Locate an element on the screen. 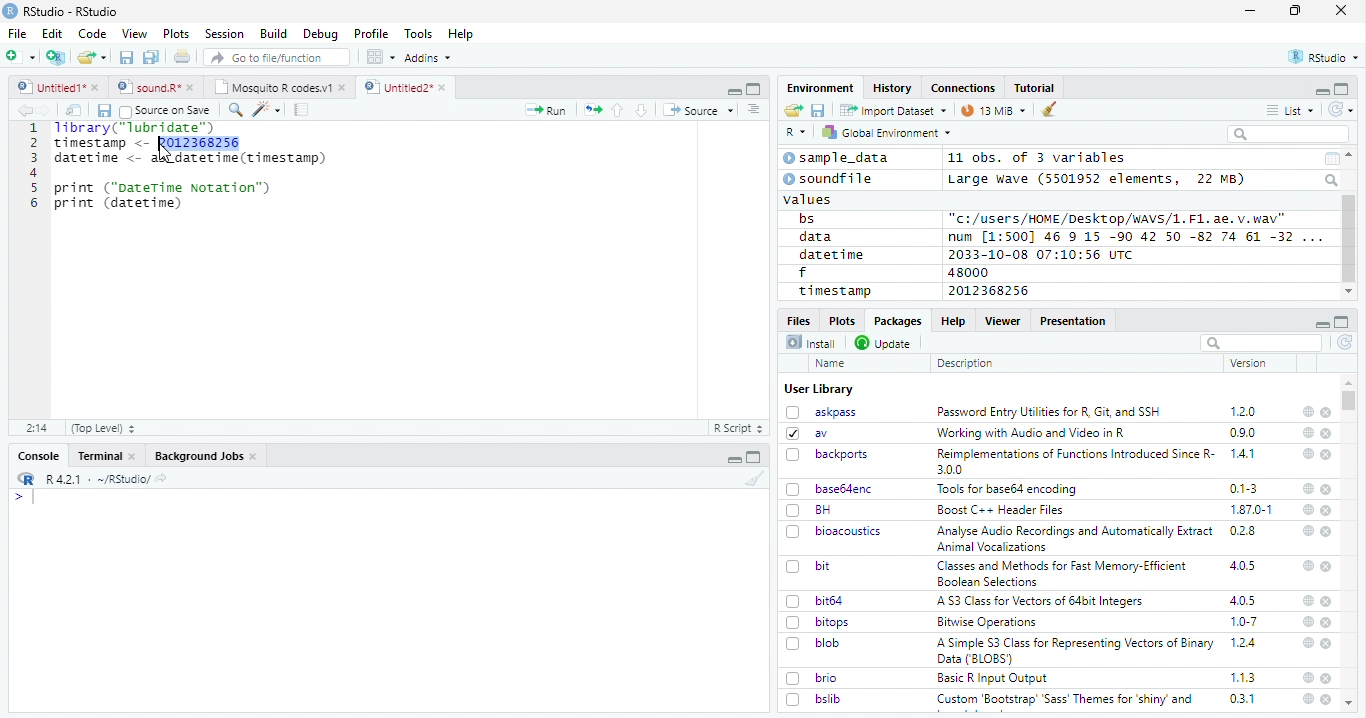 The width and height of the screenshot is (1366, 718). Analyse Audio Recordings and Automatically ExtractAnimal Vocalizations is located at coordinates (1071, 538).